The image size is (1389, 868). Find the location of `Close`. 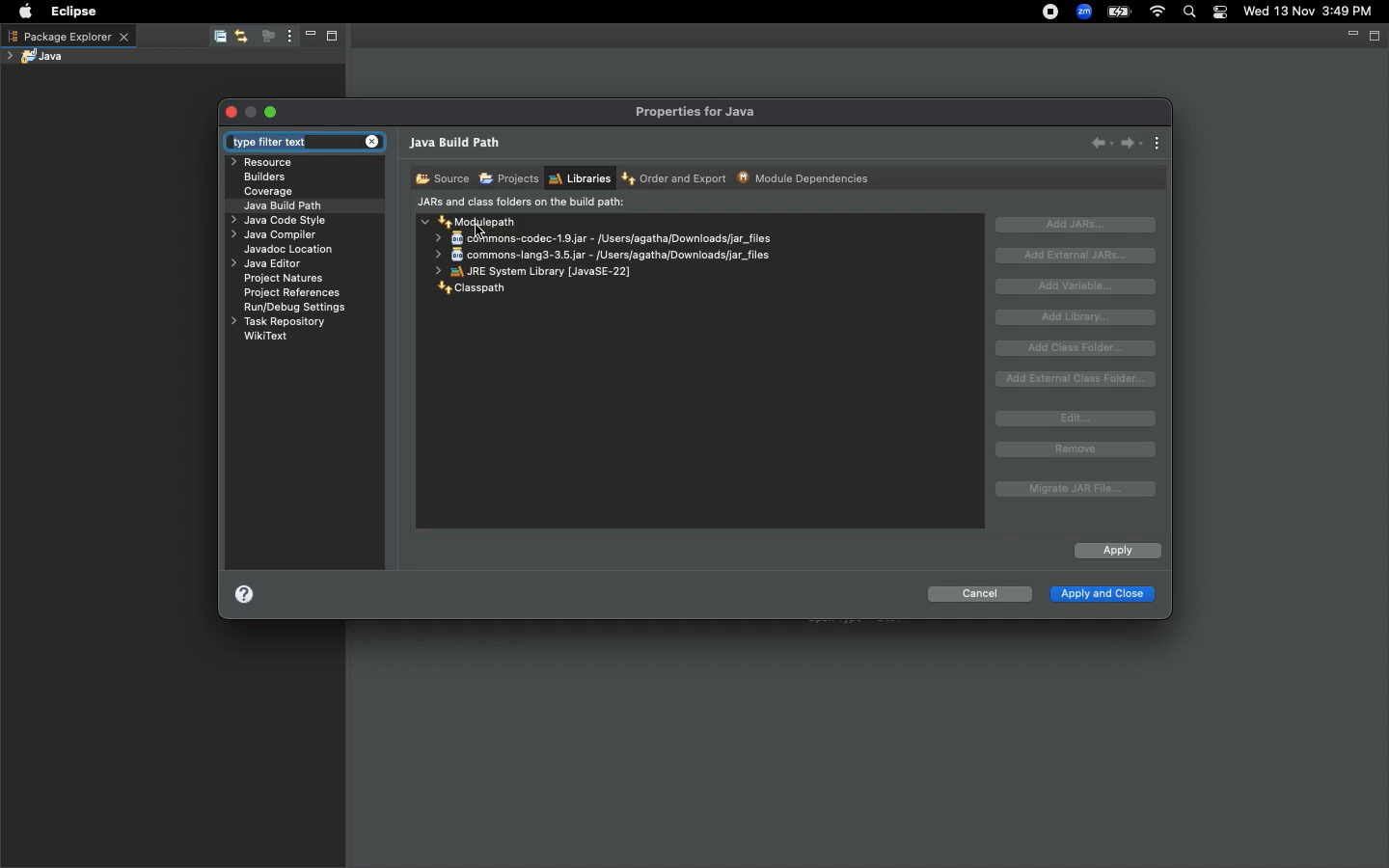

Close is located at coordinates (233, 112).